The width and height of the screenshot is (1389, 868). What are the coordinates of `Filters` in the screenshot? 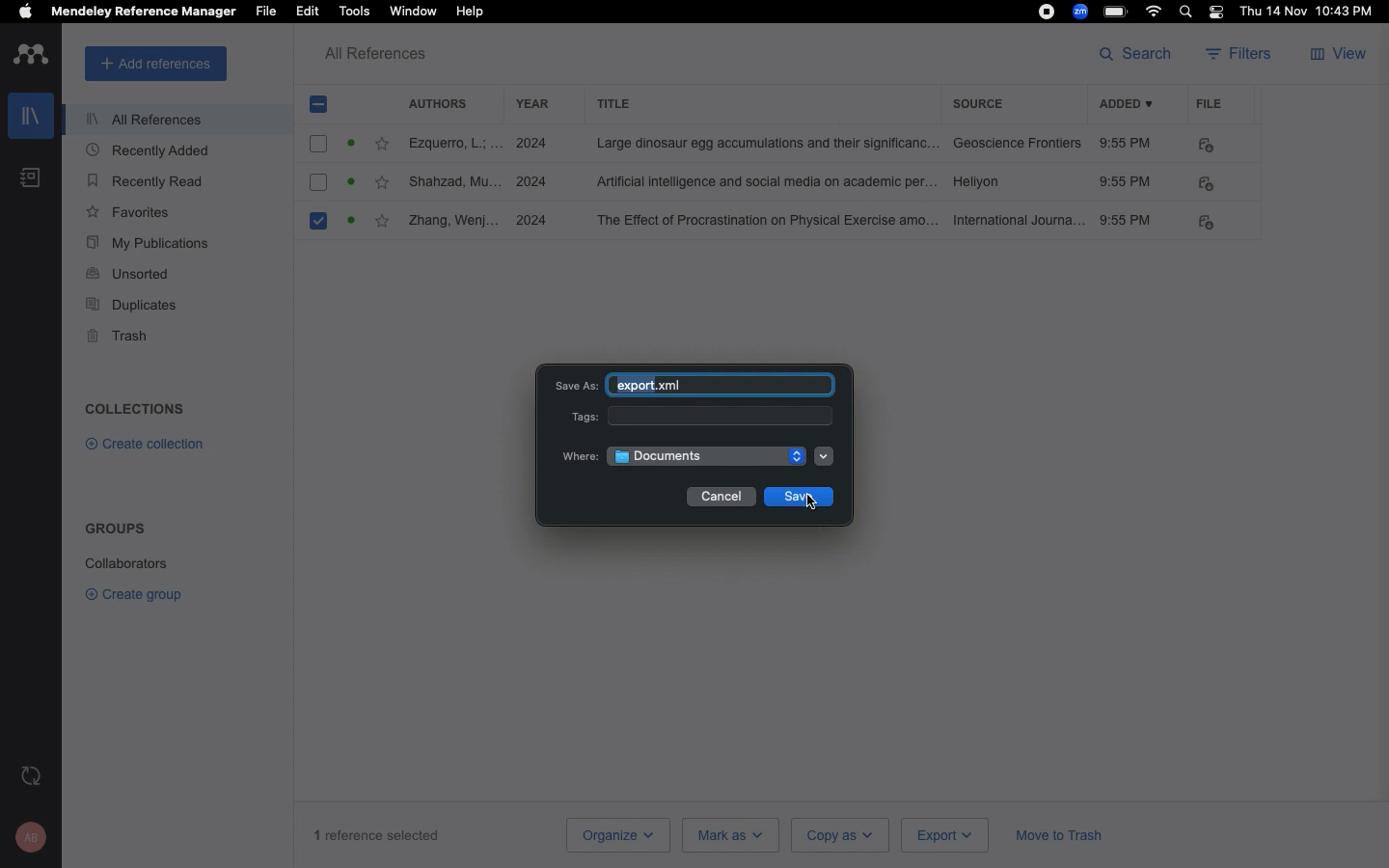 It's located at (1240, 56).